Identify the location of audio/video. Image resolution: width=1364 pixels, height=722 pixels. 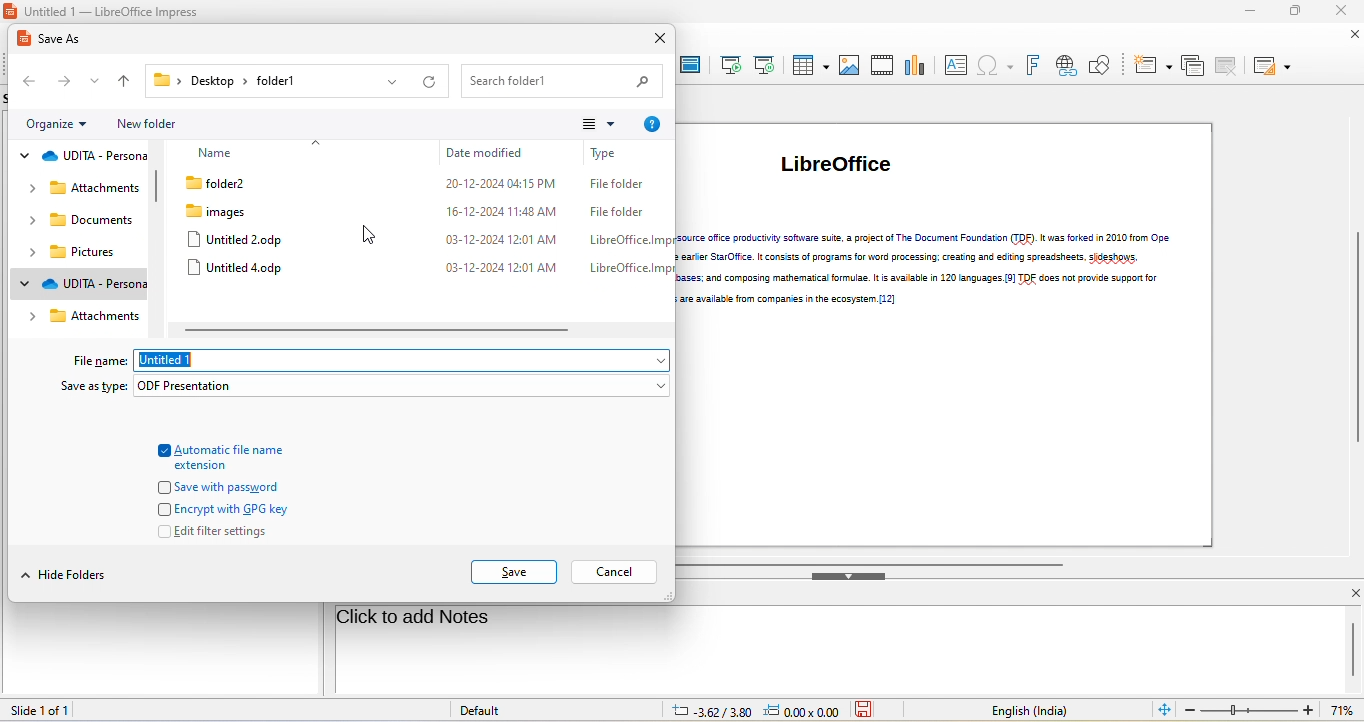
(882, 65).